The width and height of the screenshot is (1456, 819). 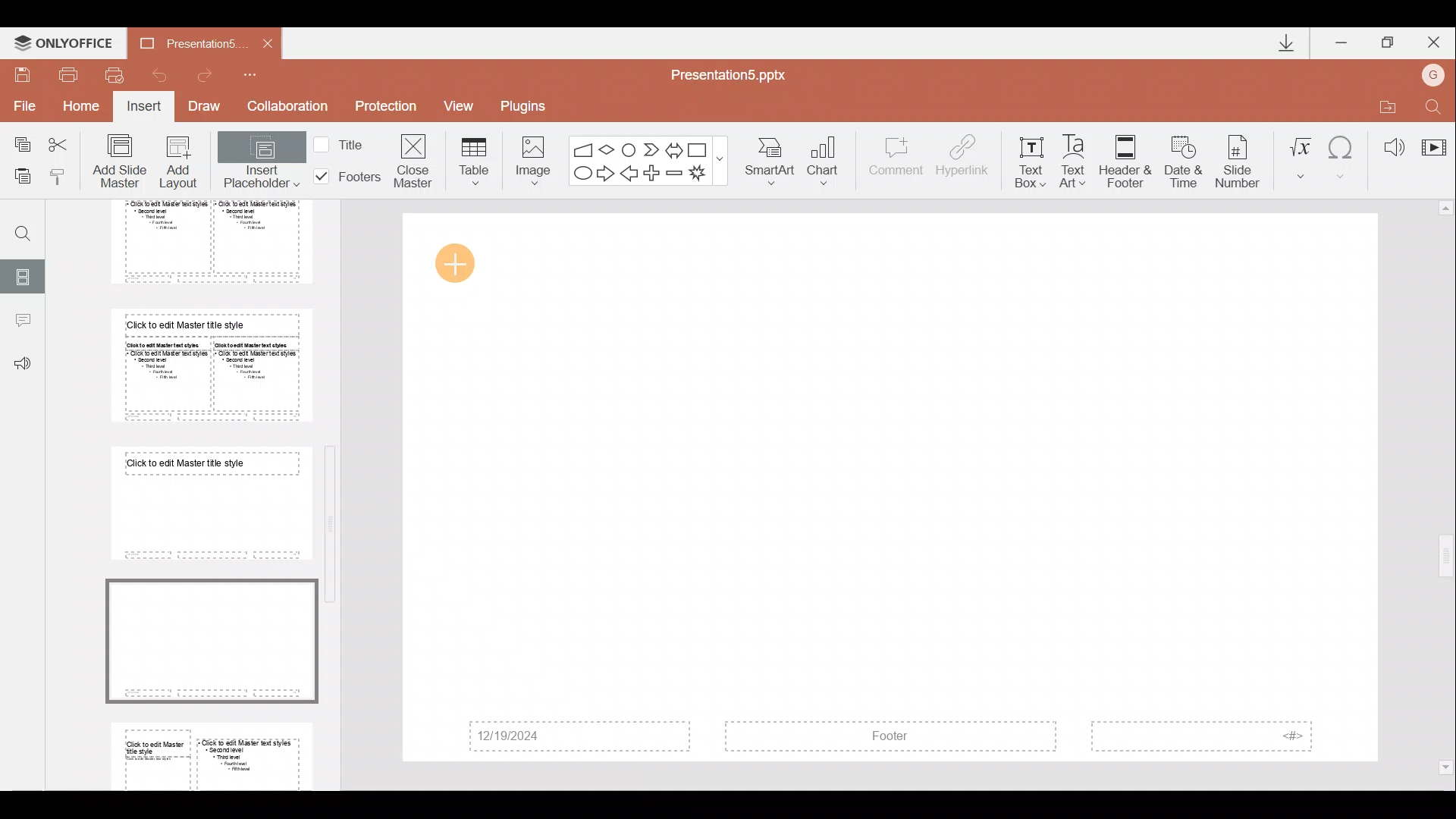 I want to click on Slides, so click(x=24, y=275).